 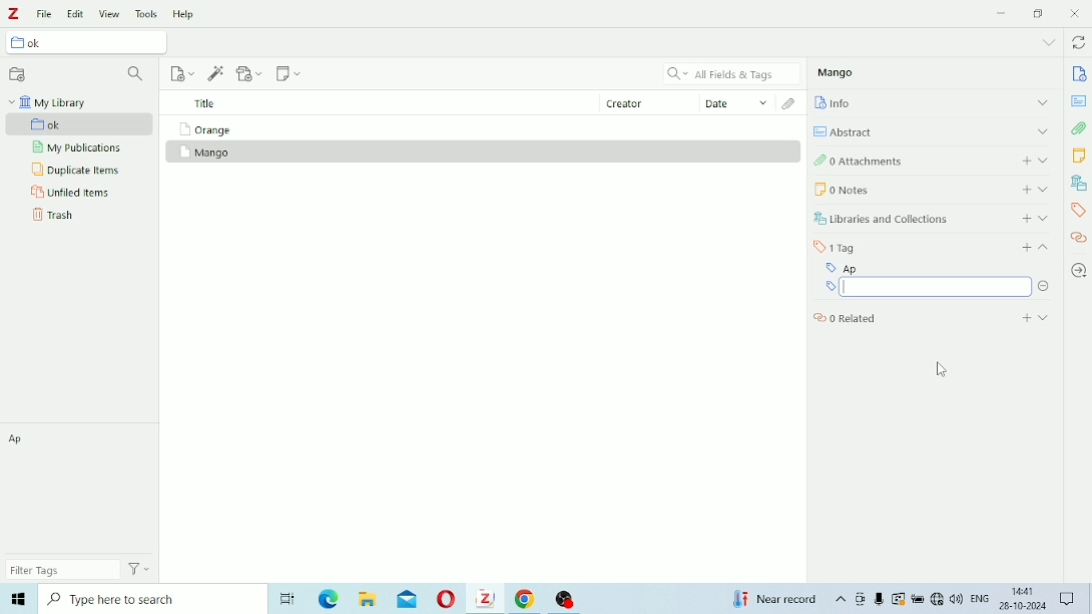 I want to click on Attachments, so click(x=1079, y=128).